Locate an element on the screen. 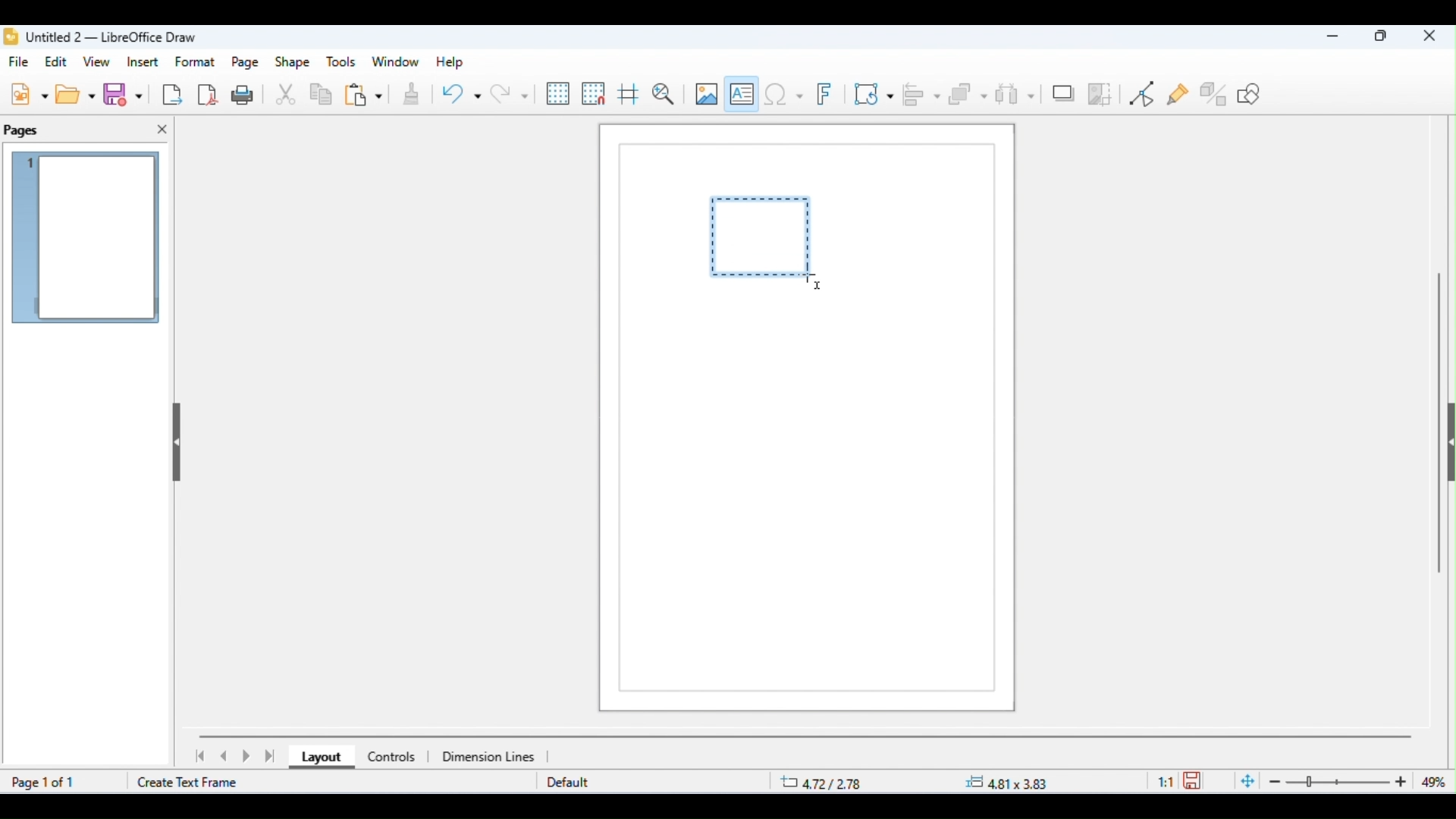 This screenshot has width=1456, height=819. hide is located at coordinates (1447, 446).